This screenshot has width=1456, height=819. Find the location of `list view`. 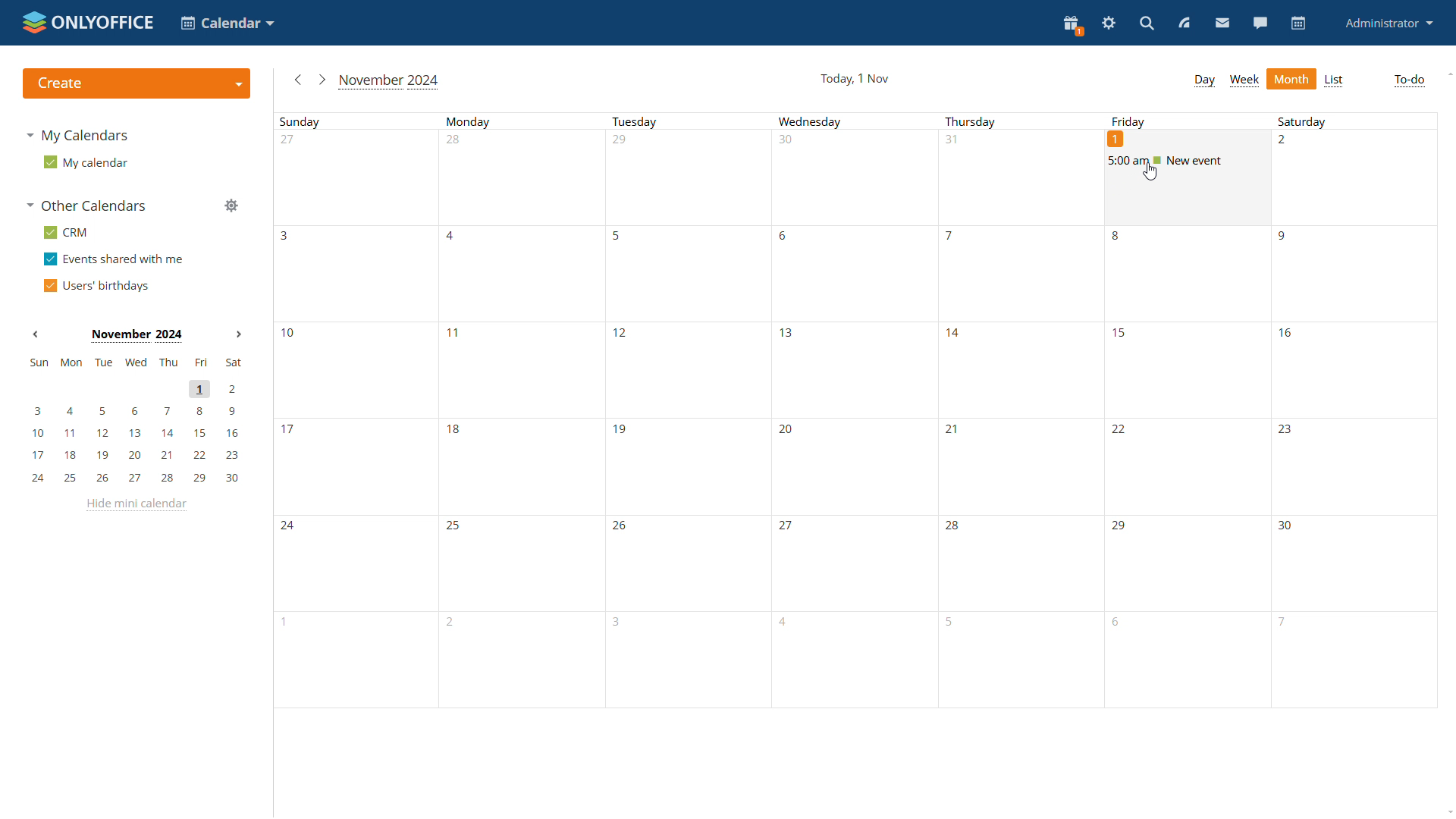

list view is located at coordinates (1335, 81).